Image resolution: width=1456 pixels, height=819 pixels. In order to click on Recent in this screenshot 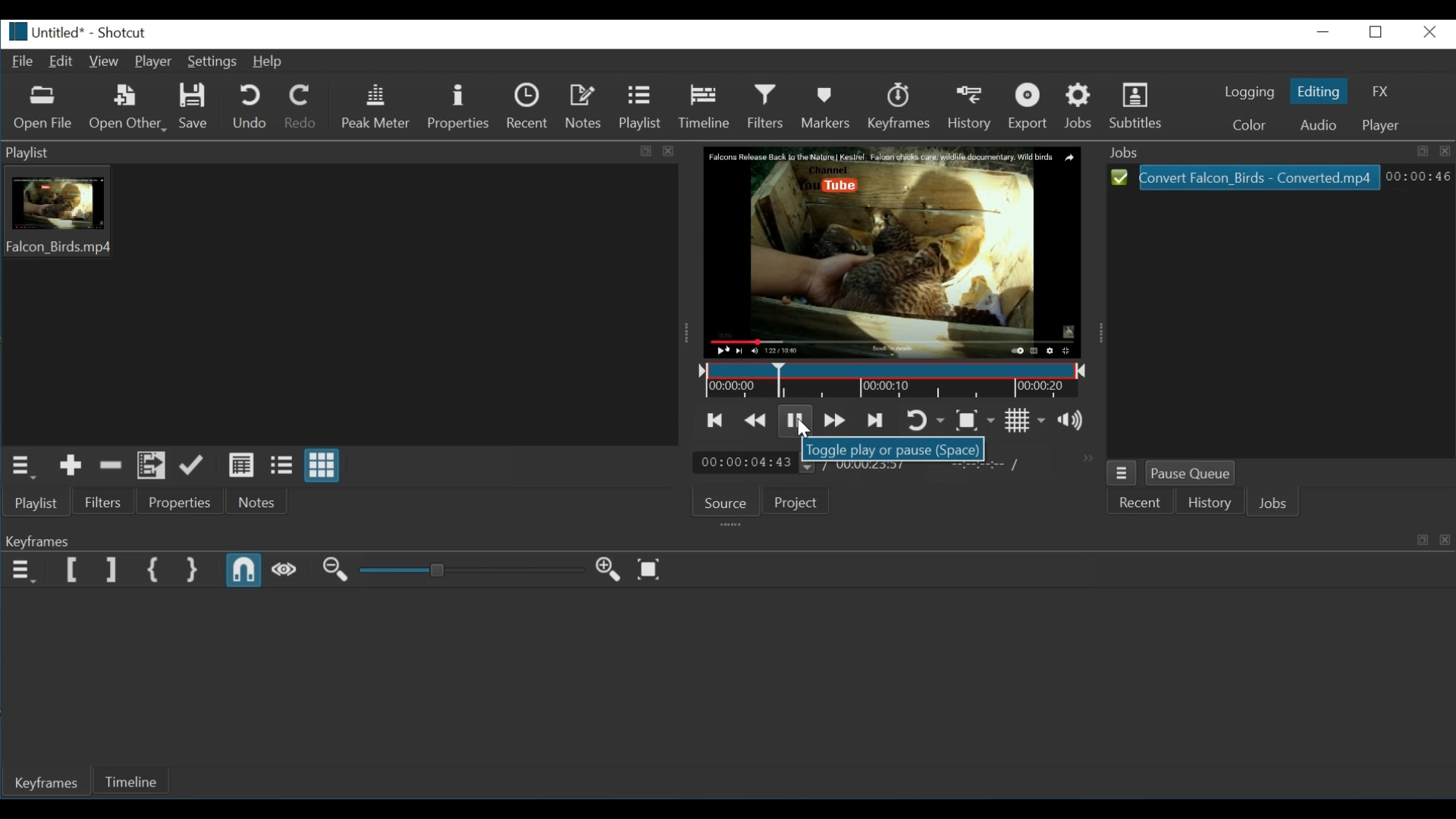, I will do `click(1140, 504)`.